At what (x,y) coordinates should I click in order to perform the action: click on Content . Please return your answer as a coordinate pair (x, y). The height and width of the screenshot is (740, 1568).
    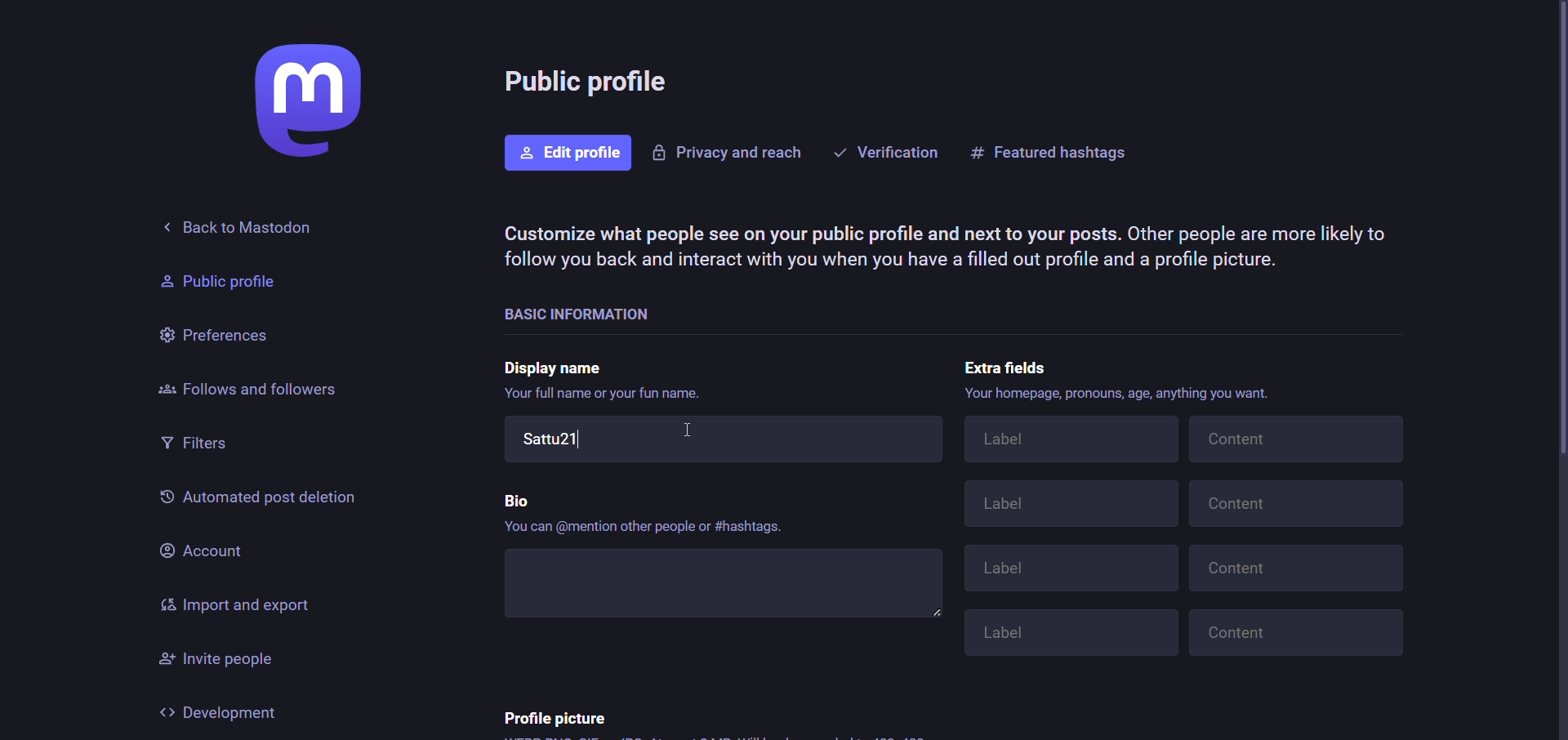
    Looking at the image, I should click on (1297, 504).